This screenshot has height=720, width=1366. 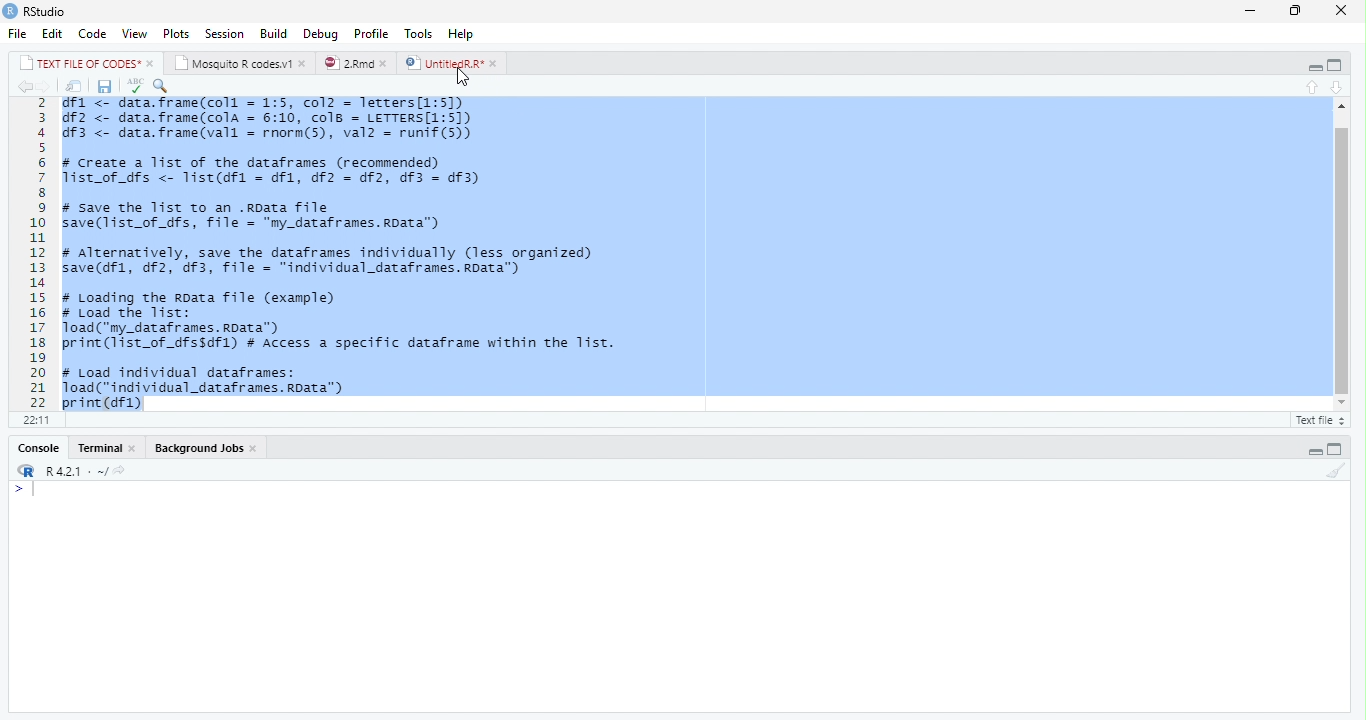 I want to click on Full Height, so click(x=1337, y=449).